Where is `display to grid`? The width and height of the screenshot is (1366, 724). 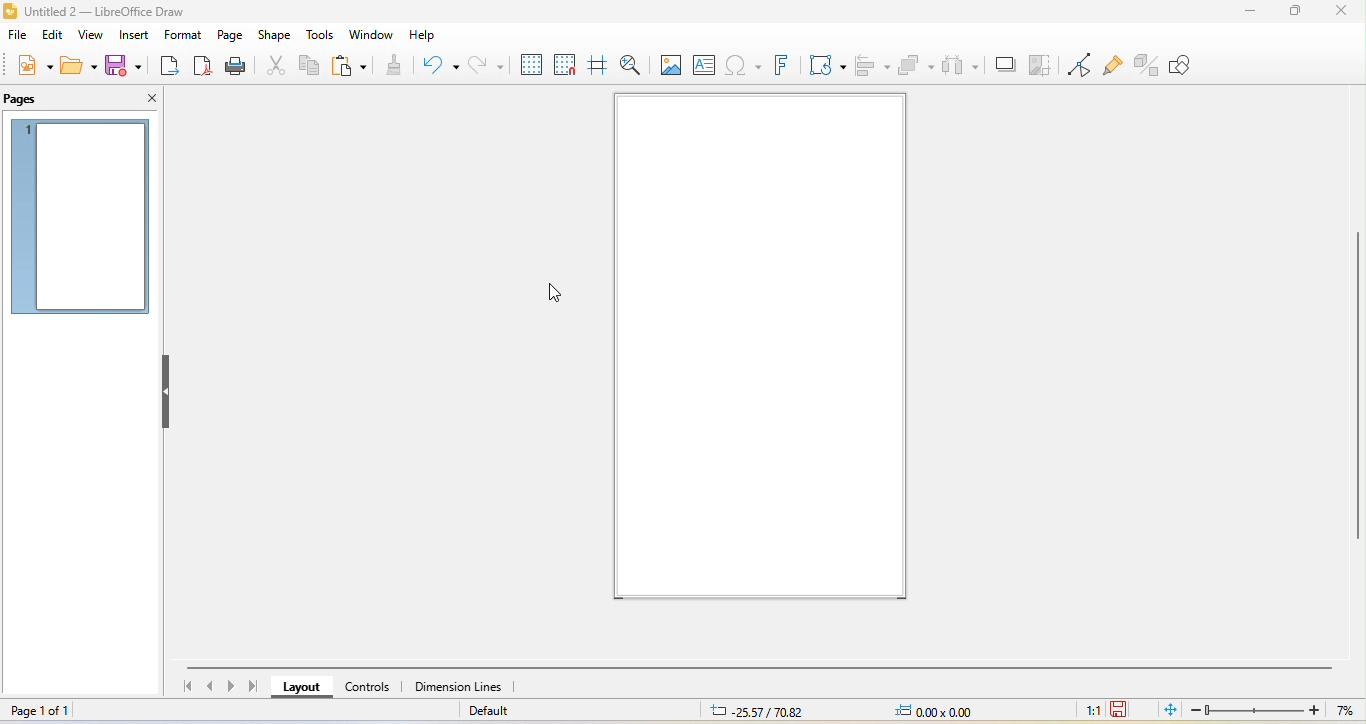 display to grid is located at coordinates (531, 64).